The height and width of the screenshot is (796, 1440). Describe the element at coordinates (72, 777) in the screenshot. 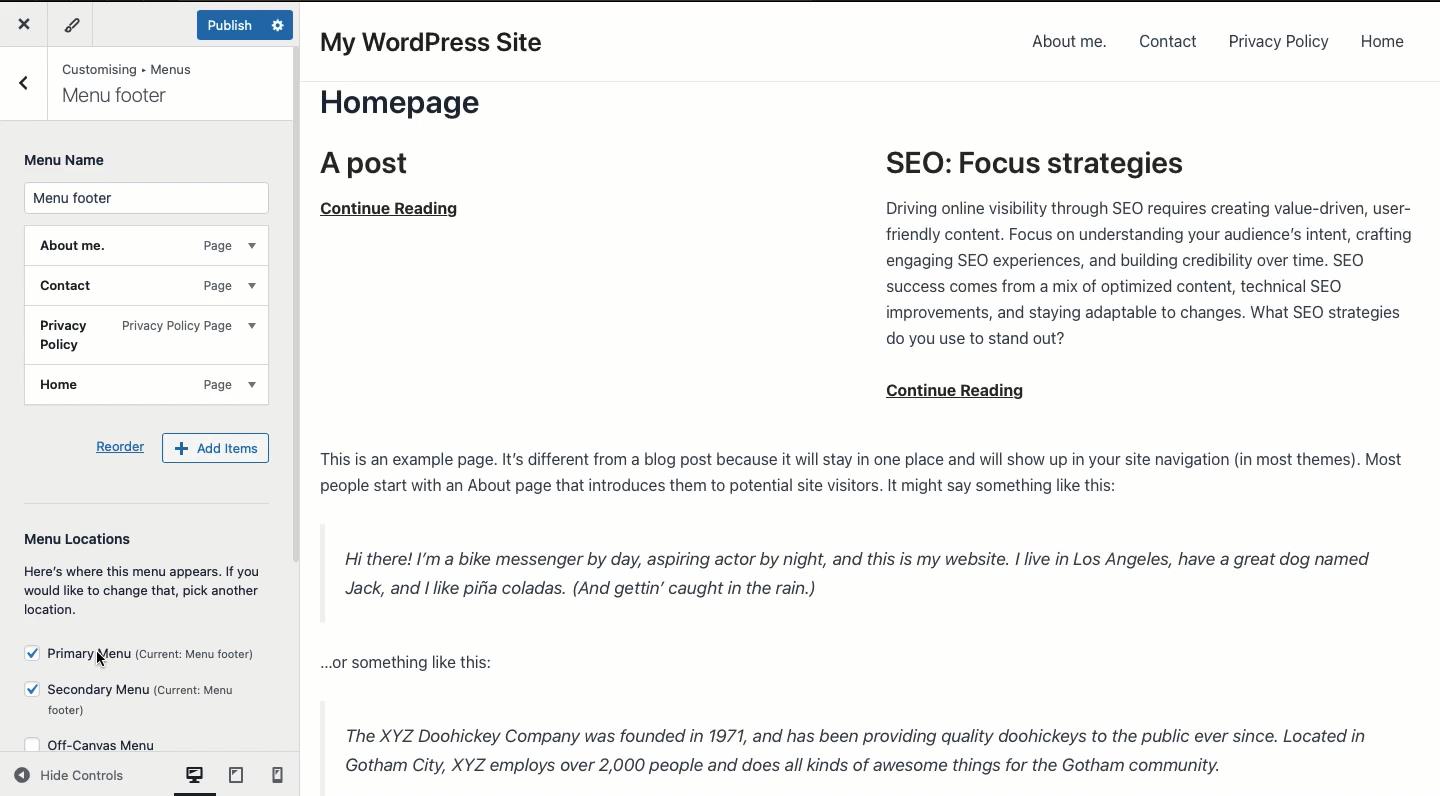

I see `Hide controls` at that location.